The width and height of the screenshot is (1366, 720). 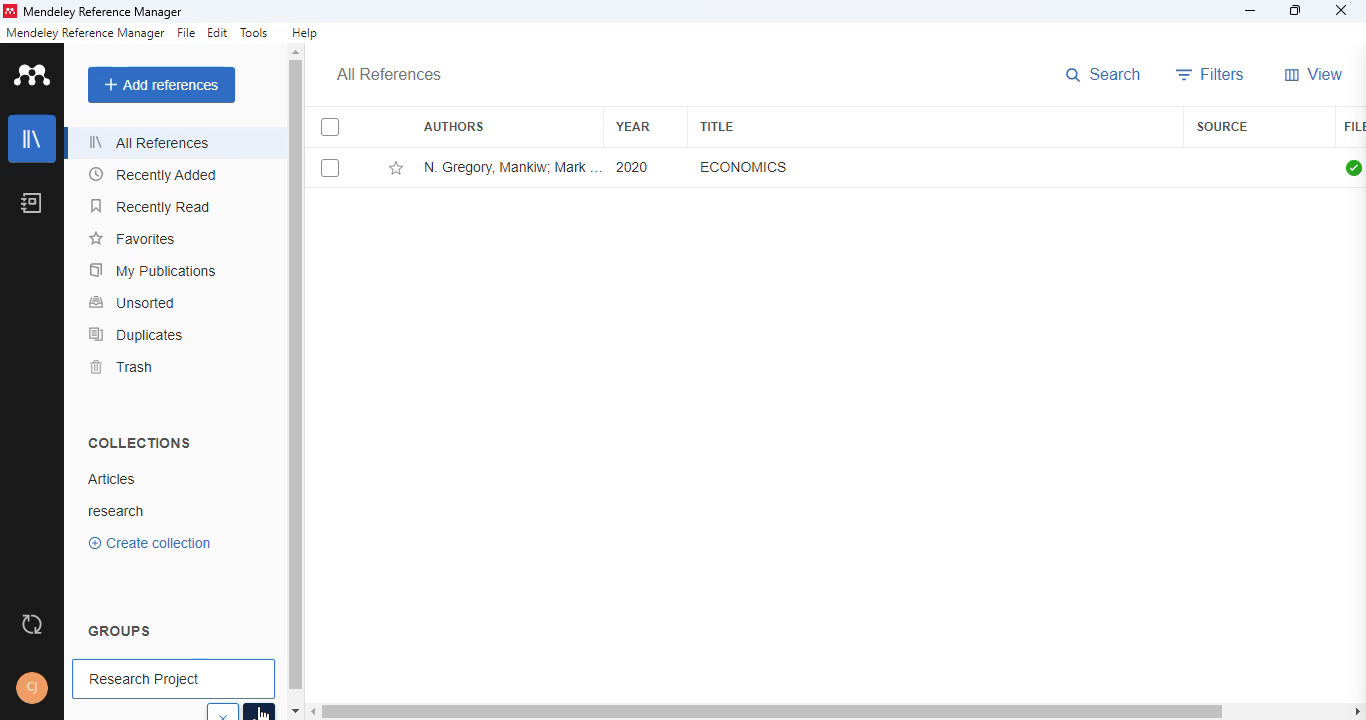 I want to click on research, so click(x=116, y=511).